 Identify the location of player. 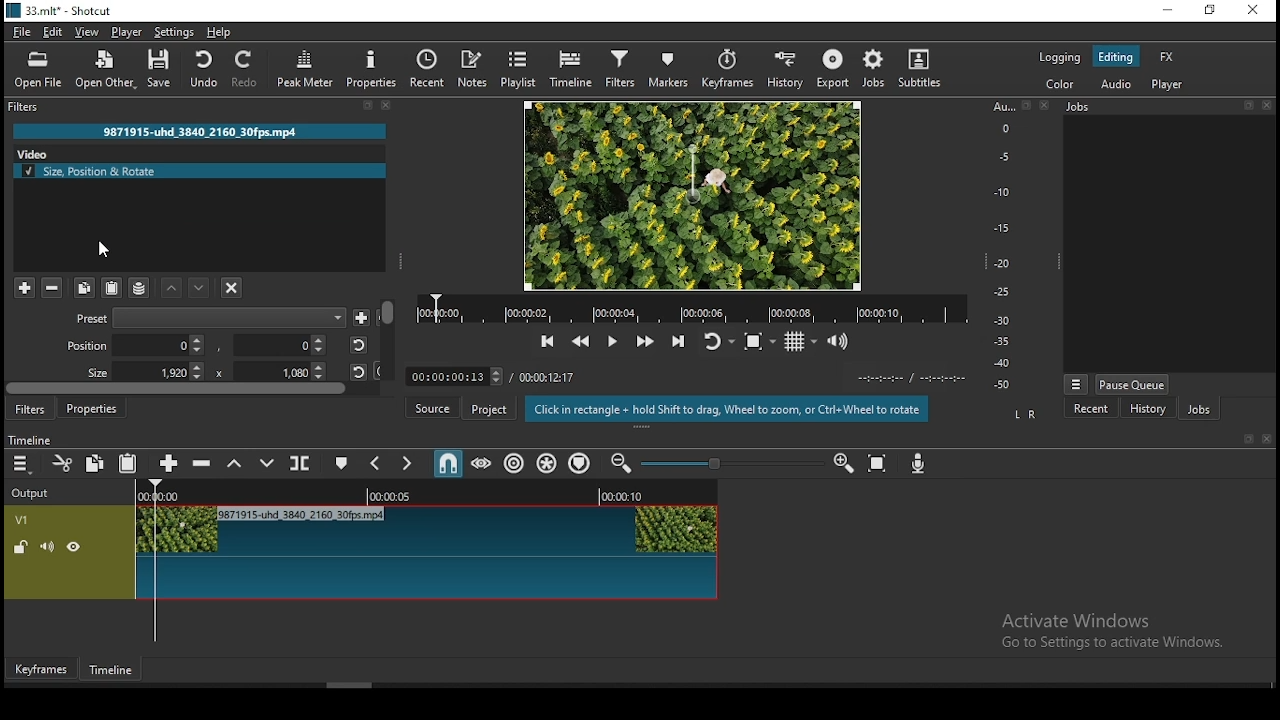
(129, 33).